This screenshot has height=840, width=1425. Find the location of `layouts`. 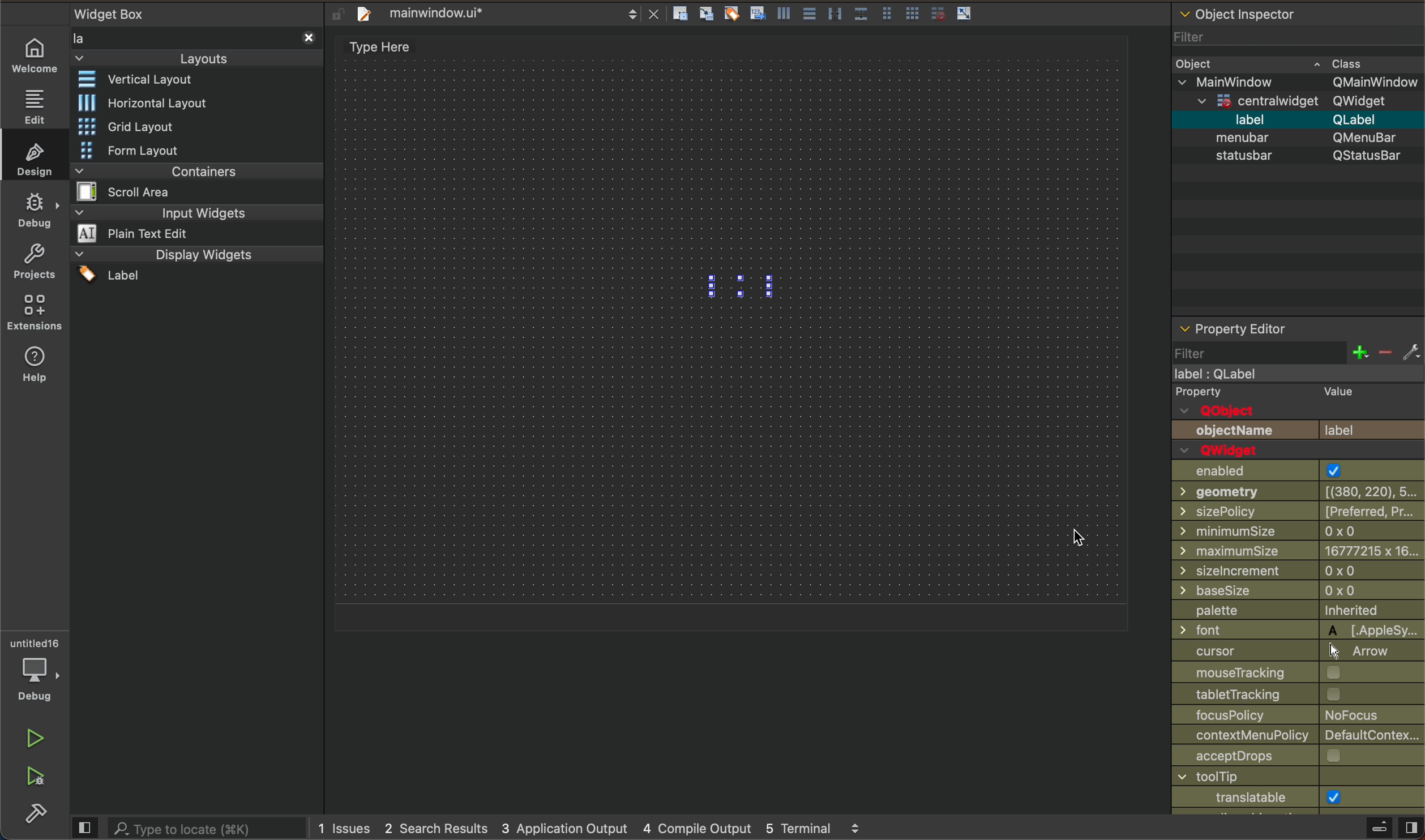

layouts is located at coordinates (195, 48).